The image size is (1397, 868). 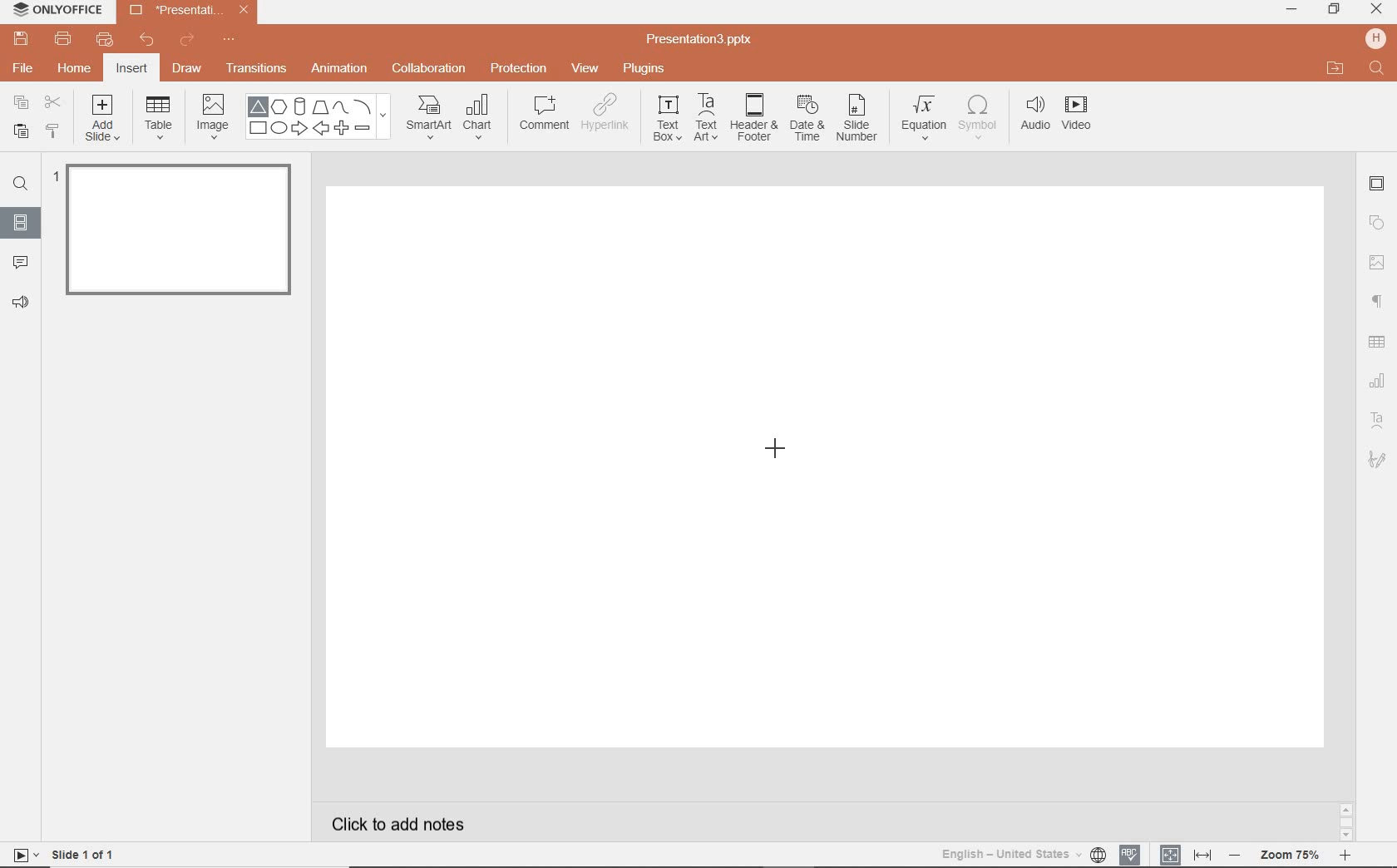 What do you see at coordinates (586, 70) in the screenshot?
I see `VIEW` at bounding box center [586, 70].